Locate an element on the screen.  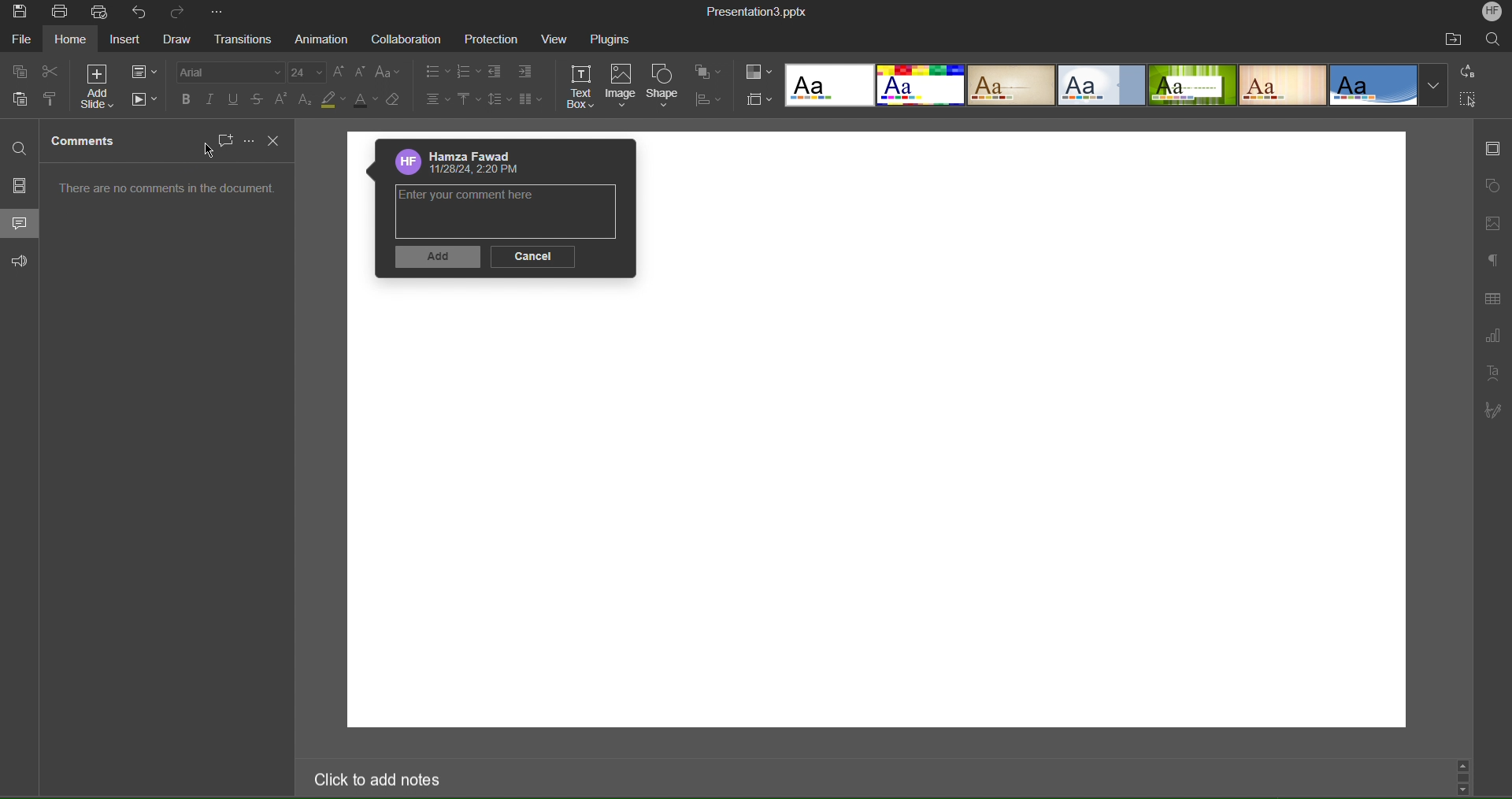
Draw is located at coordinates (176, 40).